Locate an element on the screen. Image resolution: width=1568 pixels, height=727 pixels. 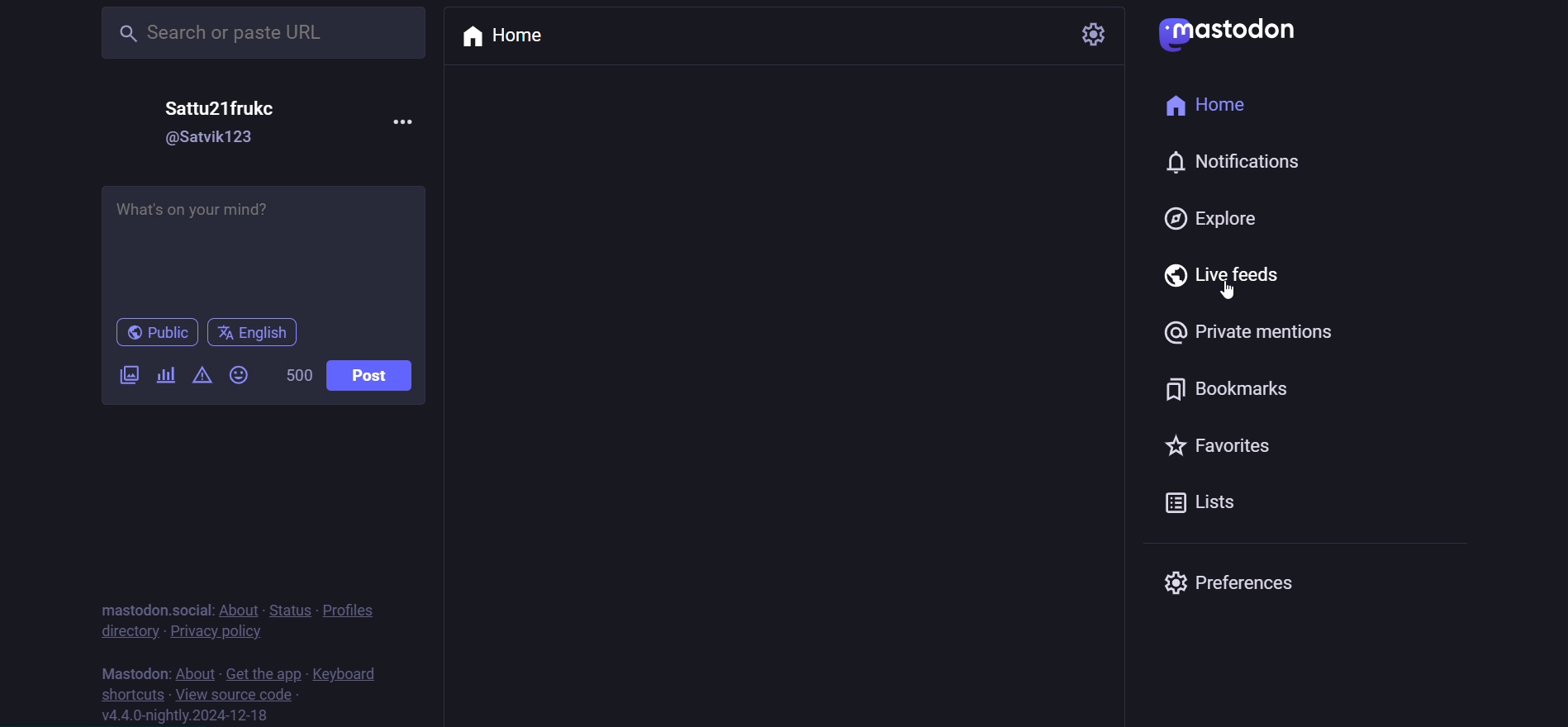
version is located at coordinates (186, 715).